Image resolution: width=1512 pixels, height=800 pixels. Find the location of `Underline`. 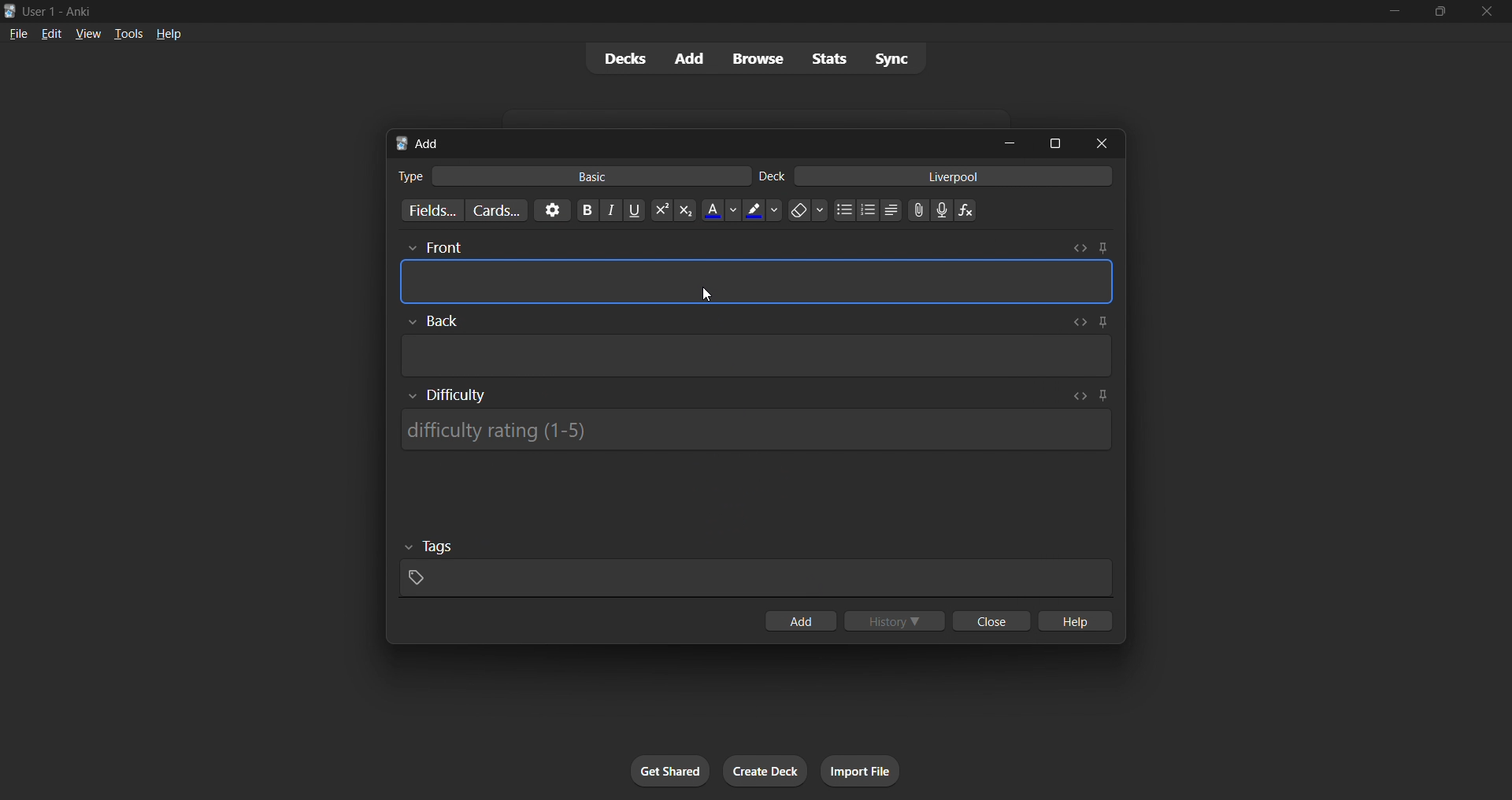

Underline is located at coordinates (634, 210).